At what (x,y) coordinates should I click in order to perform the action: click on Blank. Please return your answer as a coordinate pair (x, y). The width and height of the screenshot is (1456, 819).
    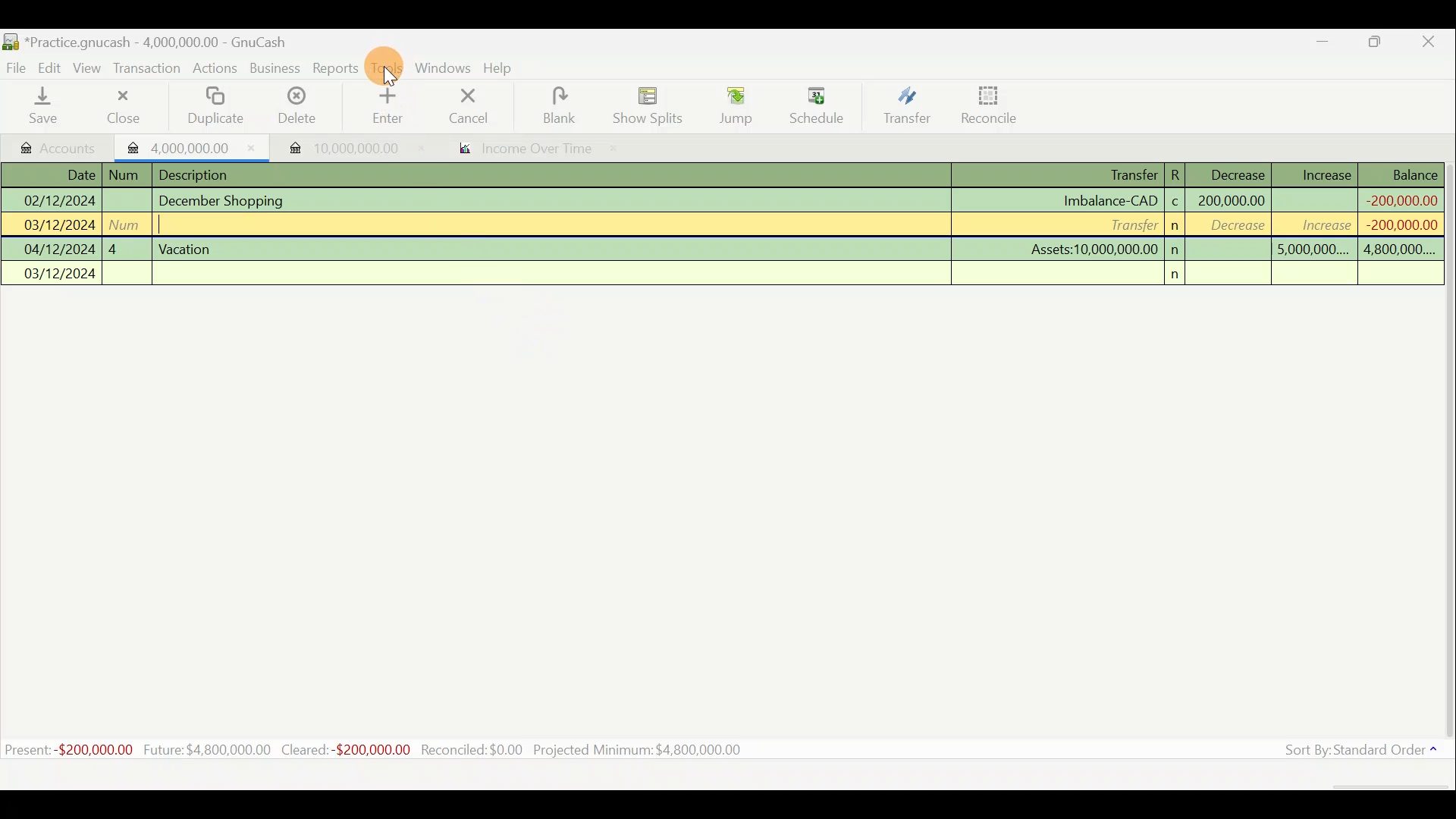
    Looking at the image, I should click on (556, 105).